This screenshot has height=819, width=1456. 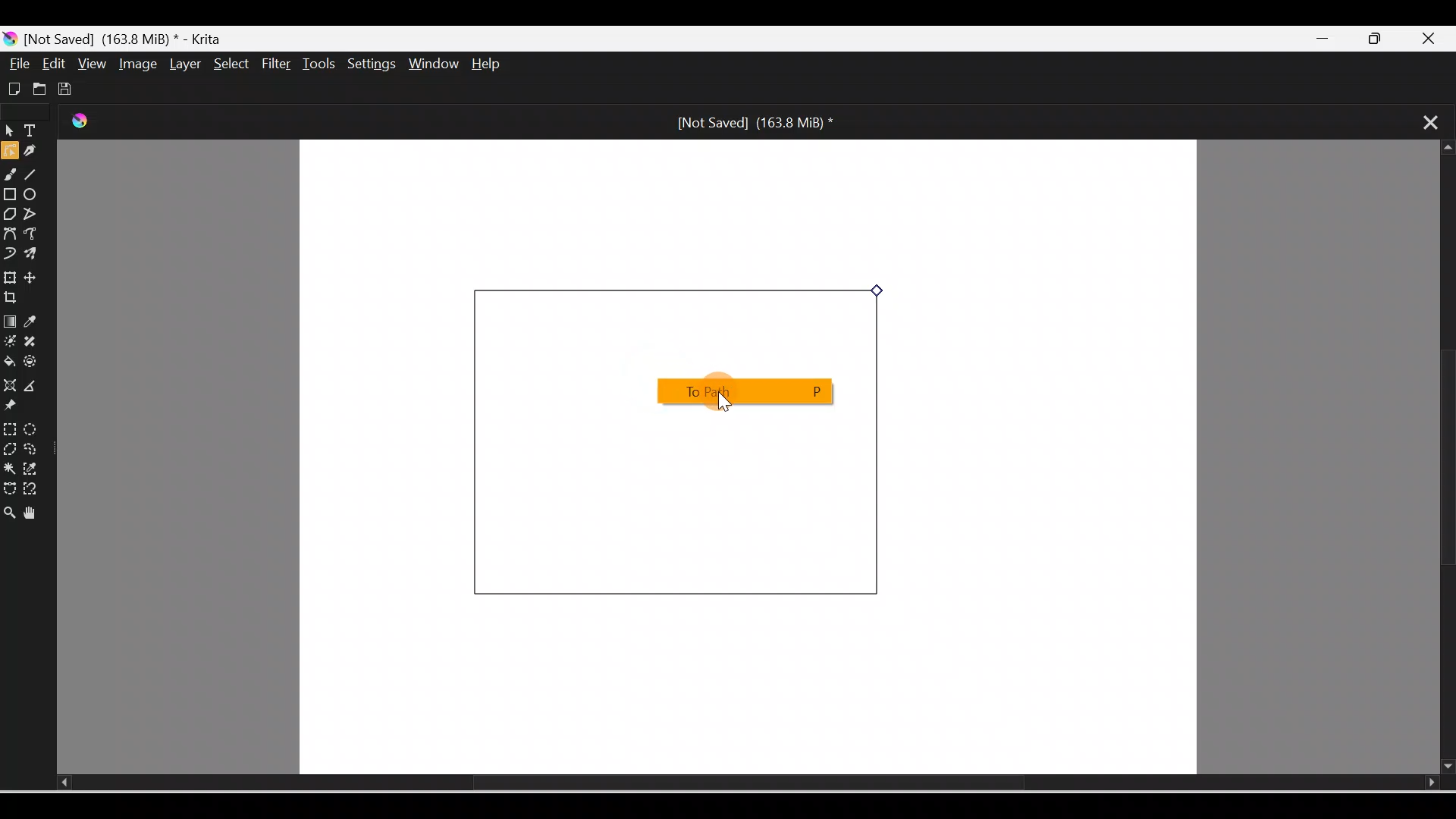 What do you see at coordinates (9, 426) in the screenshot?
I see `Rectangular selection tool` at bounding box center [9, 426].